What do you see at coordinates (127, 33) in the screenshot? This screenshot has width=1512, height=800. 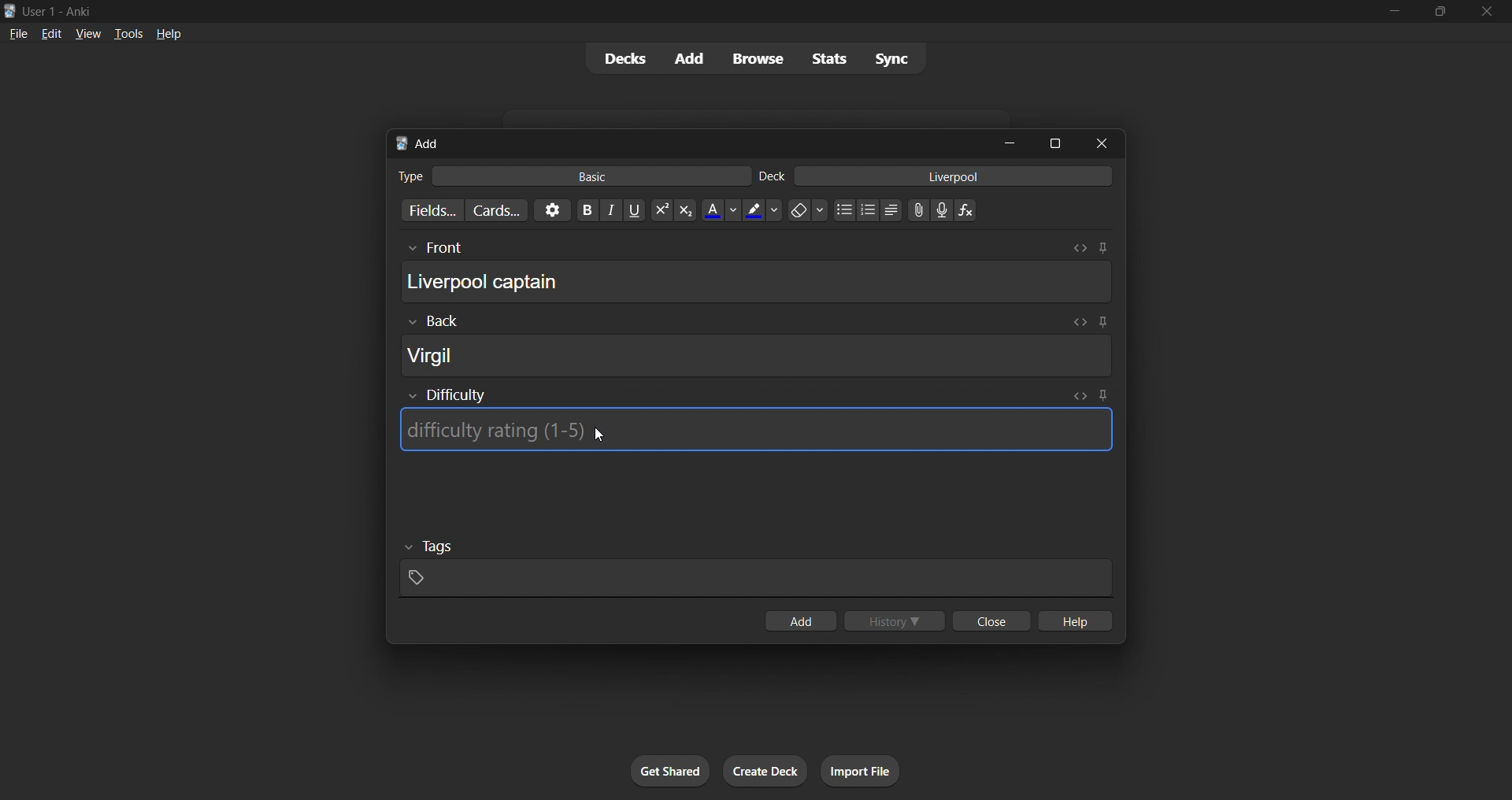 I see `tools` at bounding box center [127, 33].